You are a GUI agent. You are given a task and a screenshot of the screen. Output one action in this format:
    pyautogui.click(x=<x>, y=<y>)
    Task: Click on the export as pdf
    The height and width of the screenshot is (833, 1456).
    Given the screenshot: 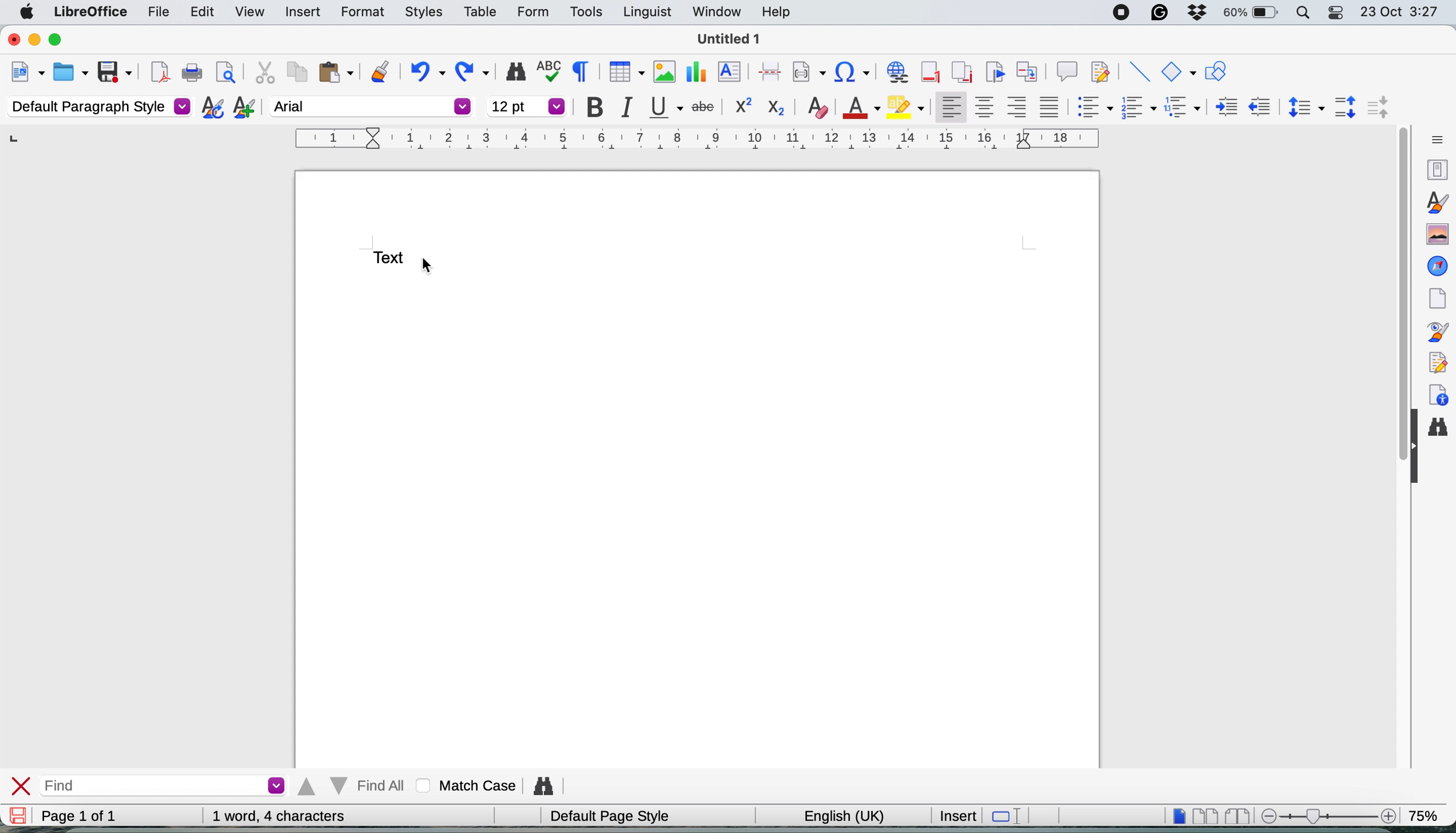 What is the action you would take?
    pyautogui.click(x=156, y=73)
    